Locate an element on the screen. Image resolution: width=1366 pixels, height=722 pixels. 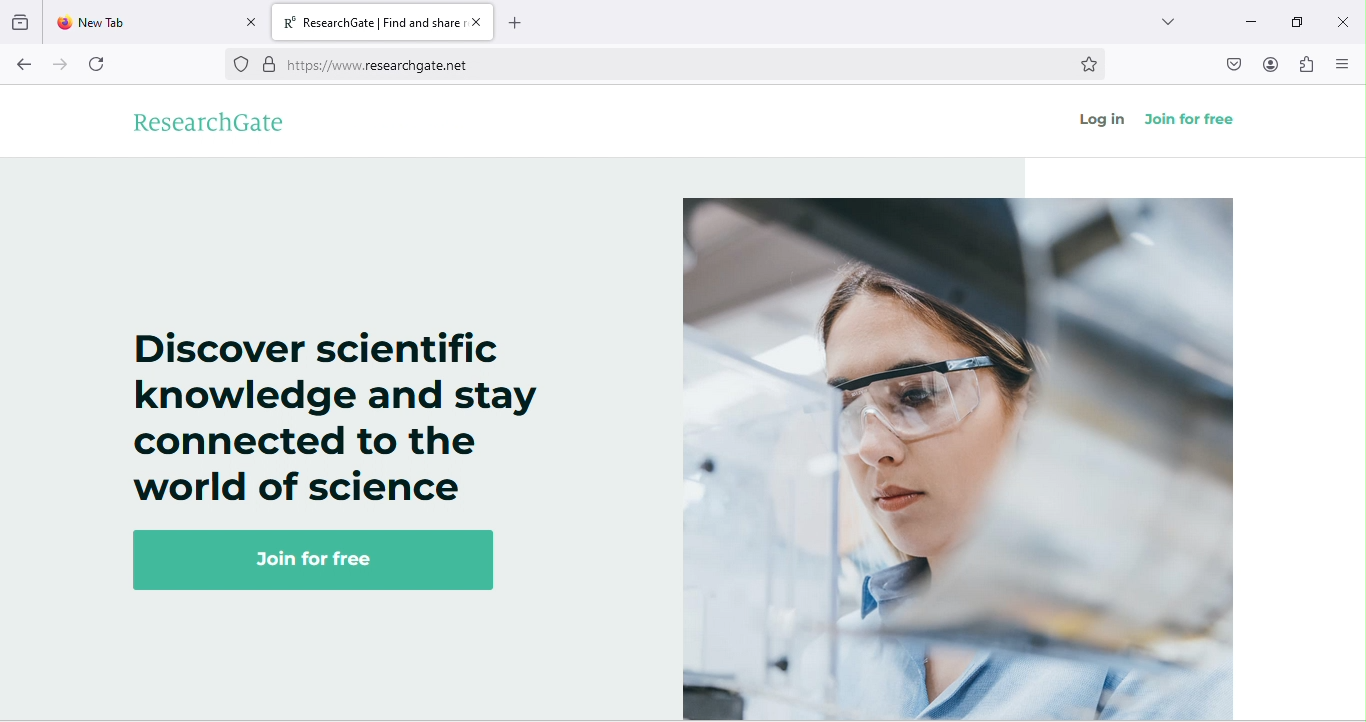
maximize is located at coordinates (1297, 23).